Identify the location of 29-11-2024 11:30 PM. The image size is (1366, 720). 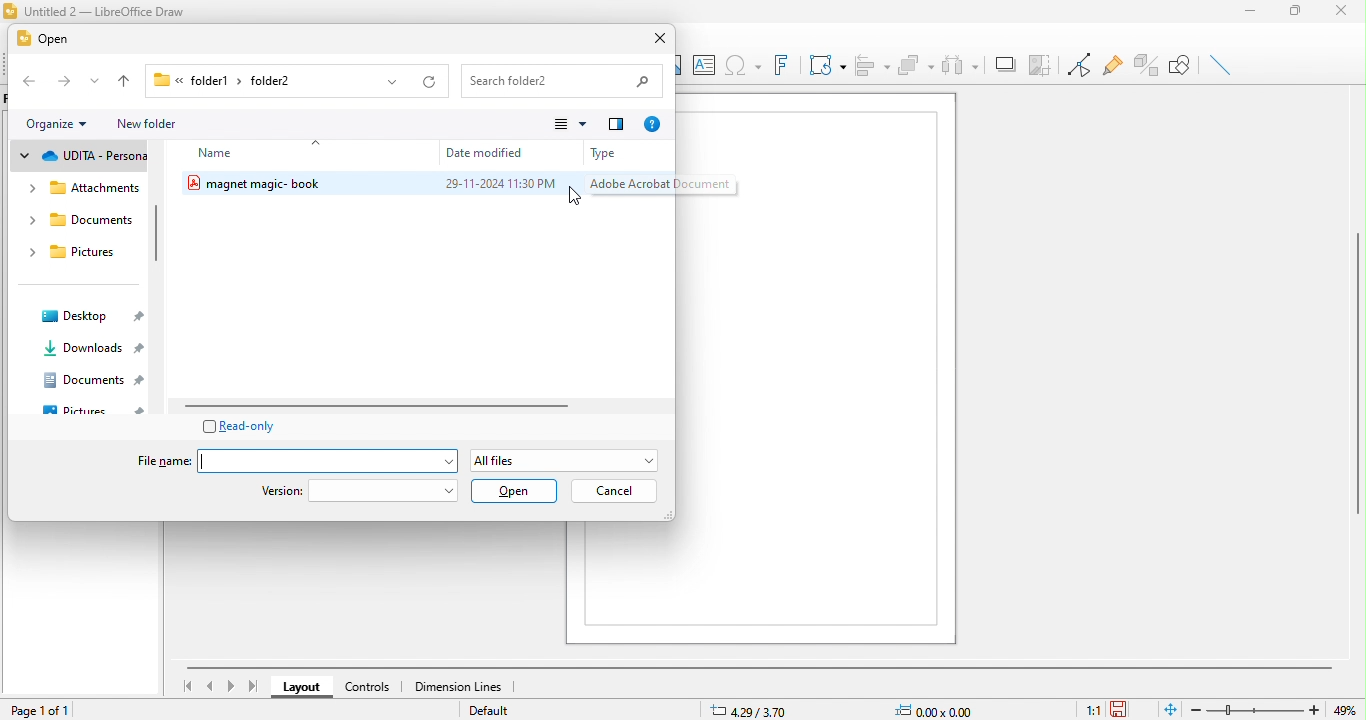
(497, 184).